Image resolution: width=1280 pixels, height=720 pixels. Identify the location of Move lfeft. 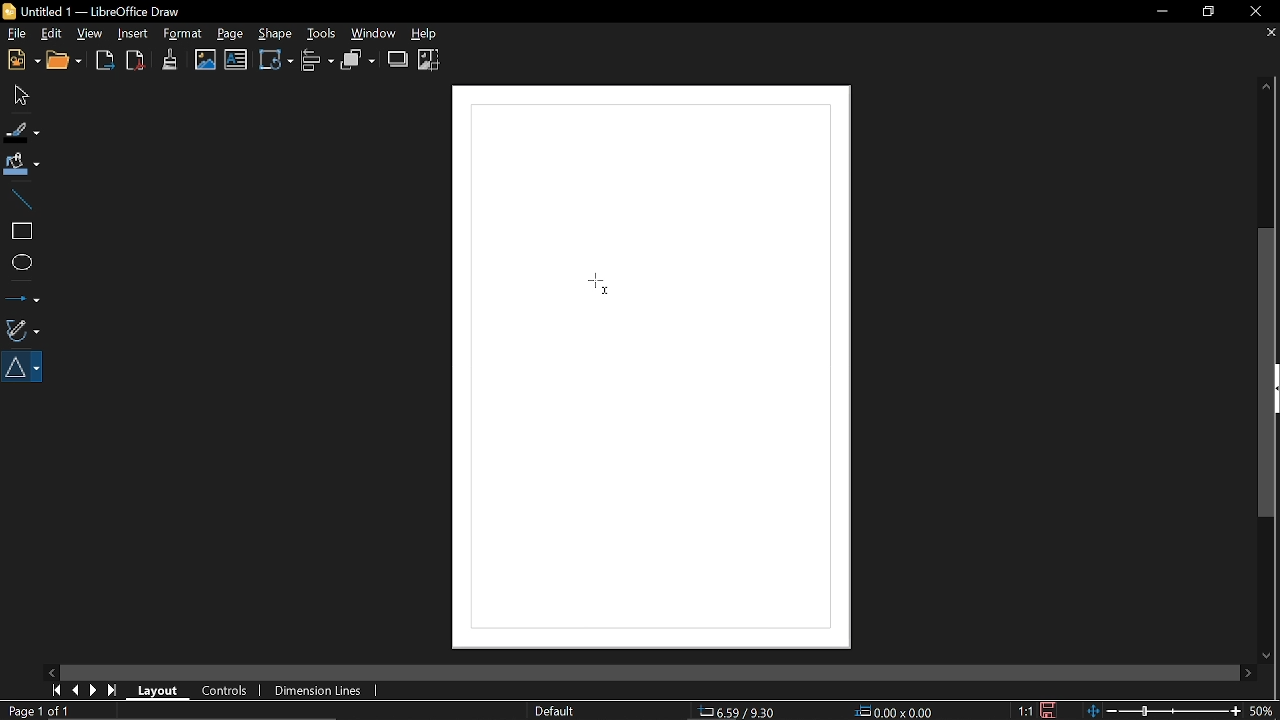
(53, 671).